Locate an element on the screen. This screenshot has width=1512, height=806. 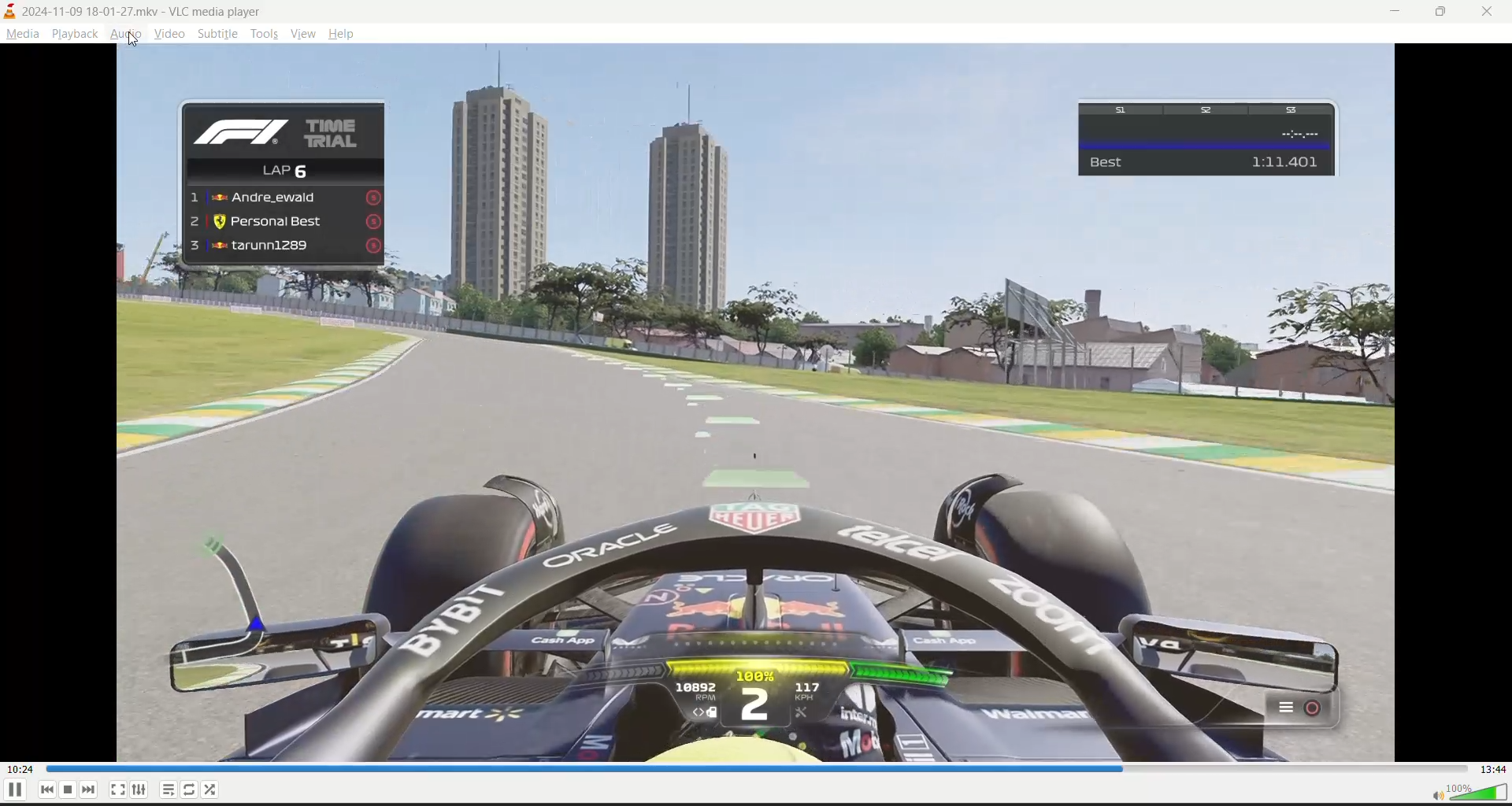
preview is located at coordinates (1370, 141).